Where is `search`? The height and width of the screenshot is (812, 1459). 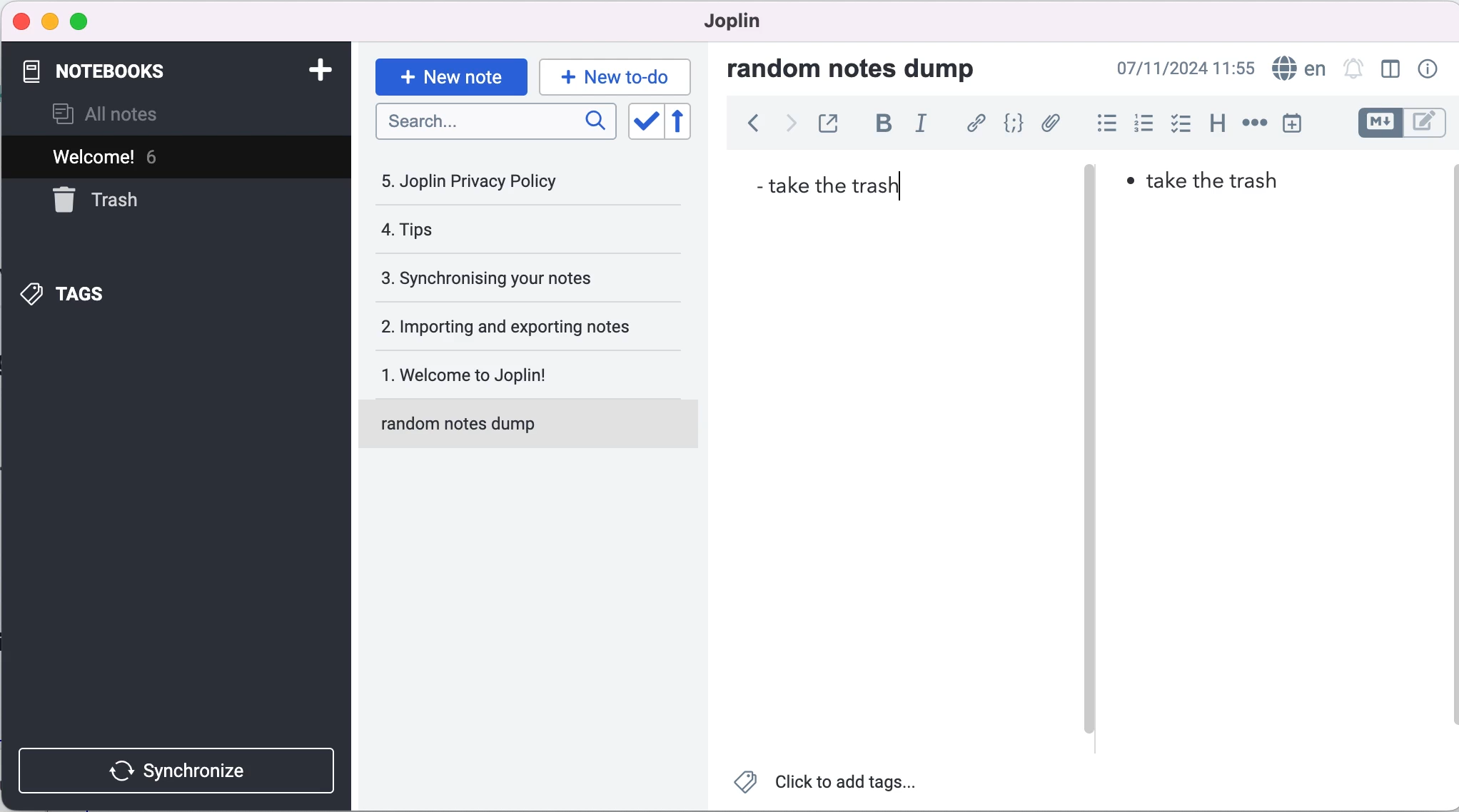
search is located at coordinates (497, 126).